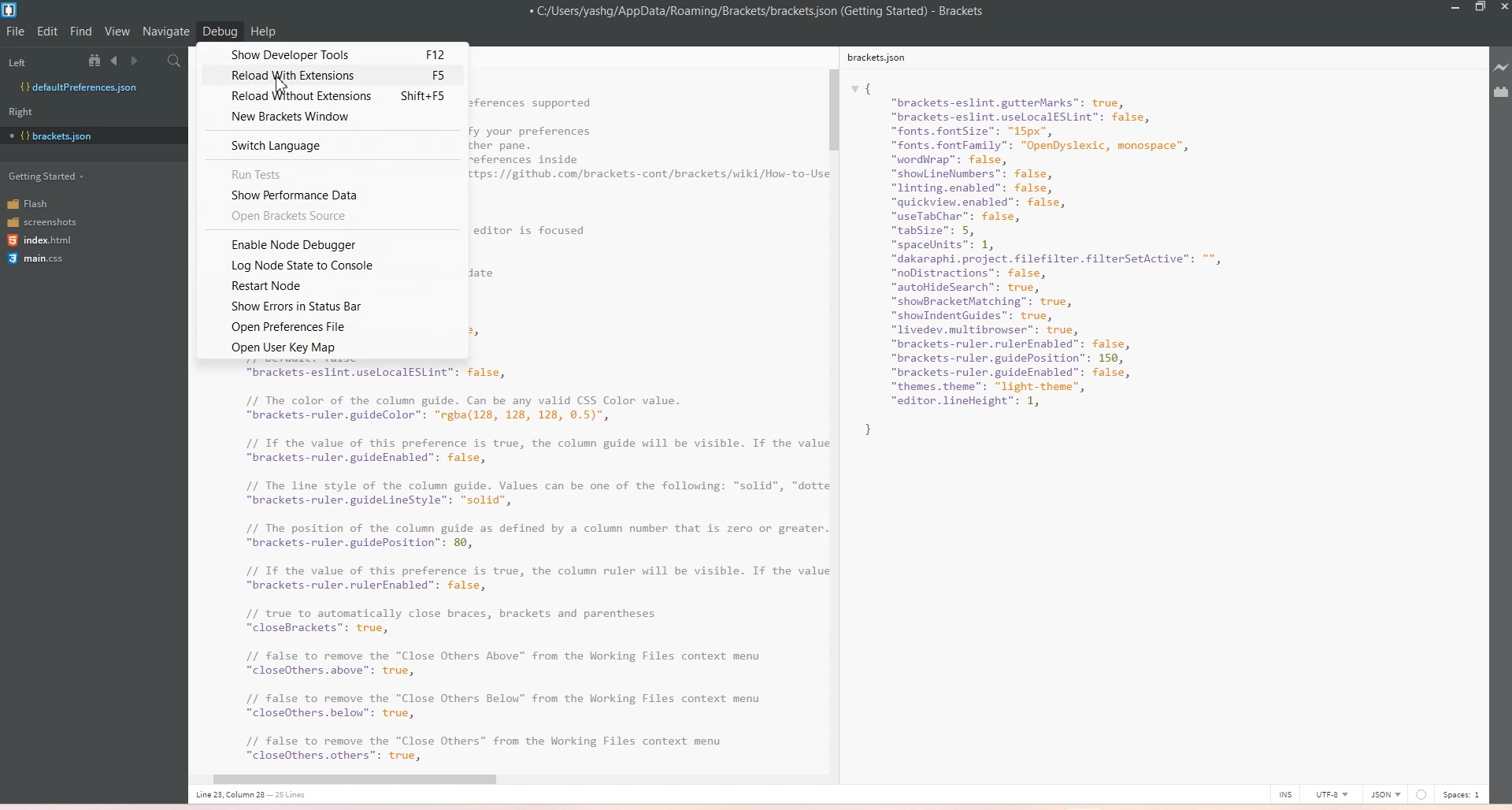  Describe the element at coordinates (98, 60) in the screenshot. I see `Show in file tree` at that location.